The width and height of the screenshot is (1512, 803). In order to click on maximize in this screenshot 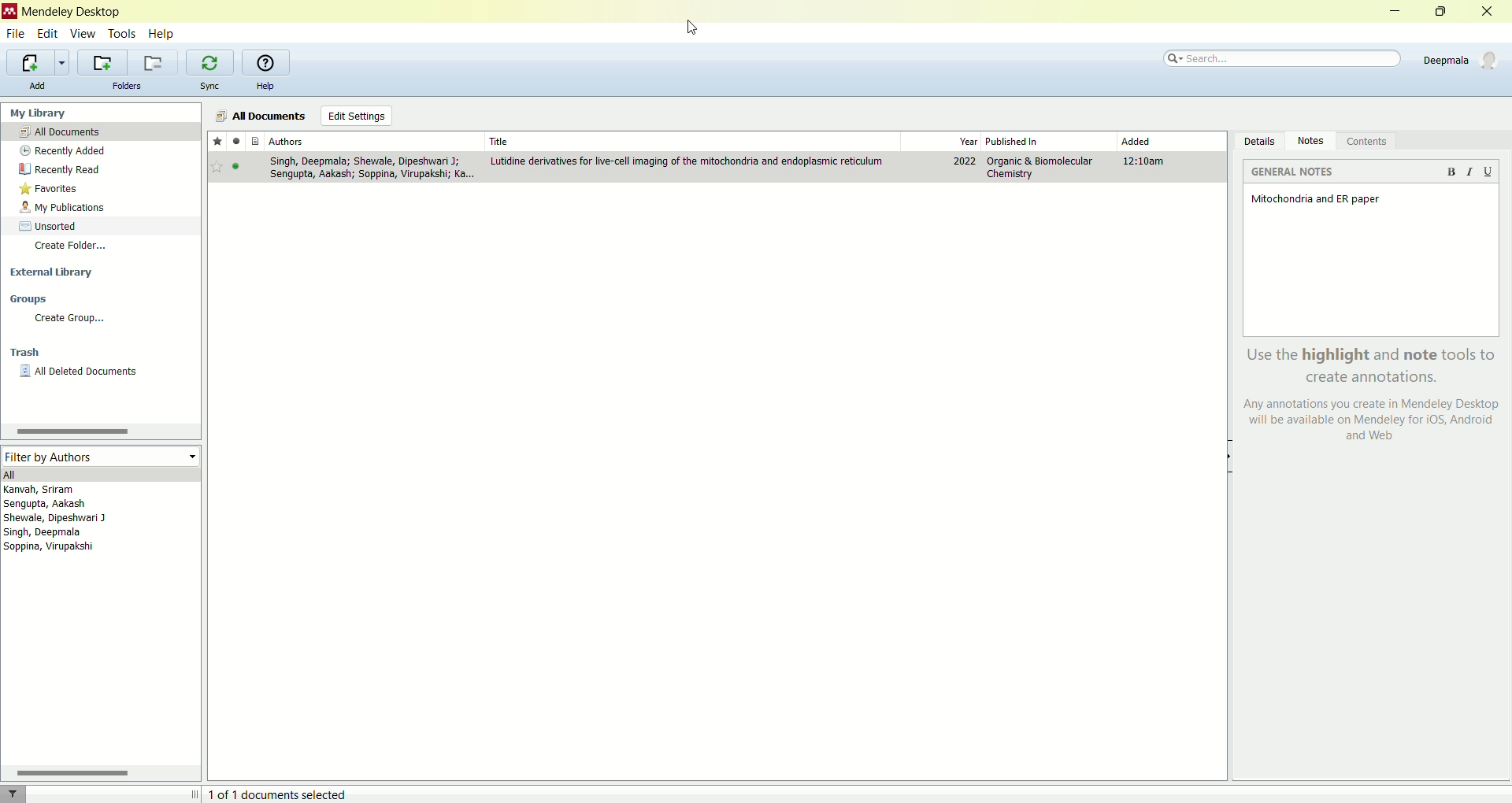, I will do `click(1442, 10)`.